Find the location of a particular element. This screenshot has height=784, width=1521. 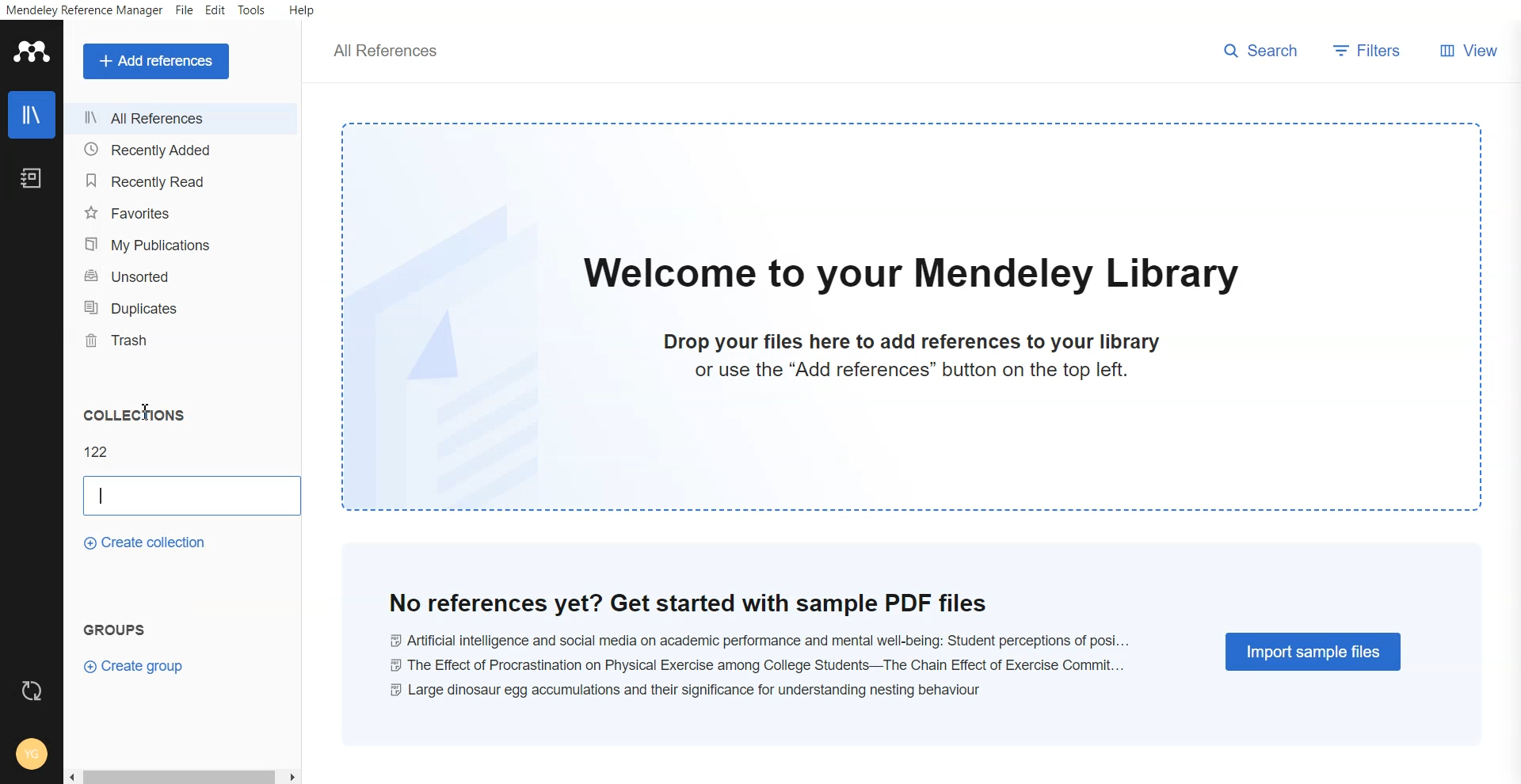

all references is located at coordinates (380, 51).